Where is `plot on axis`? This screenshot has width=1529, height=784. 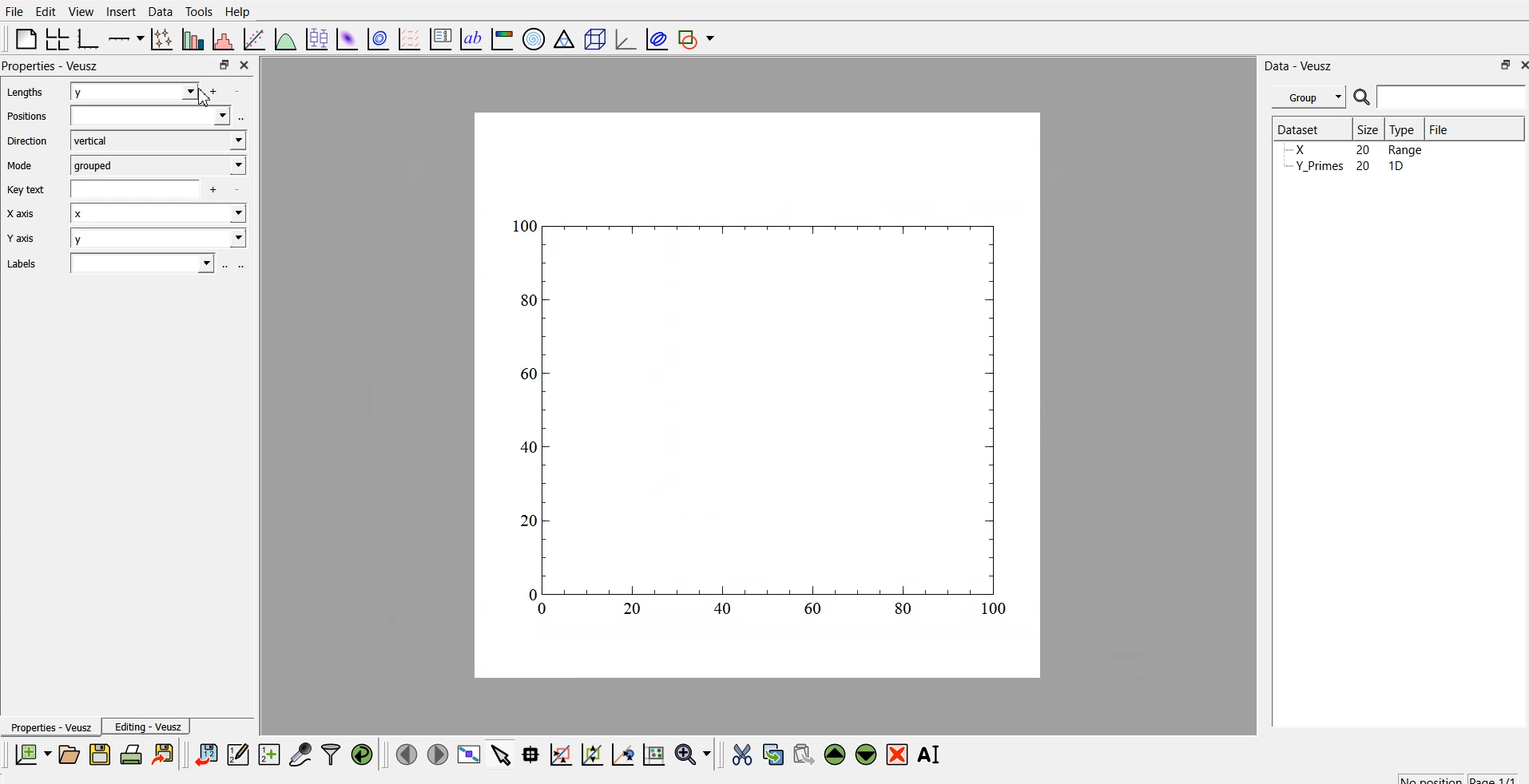 plot on axis is located at coordinates (124, 37).